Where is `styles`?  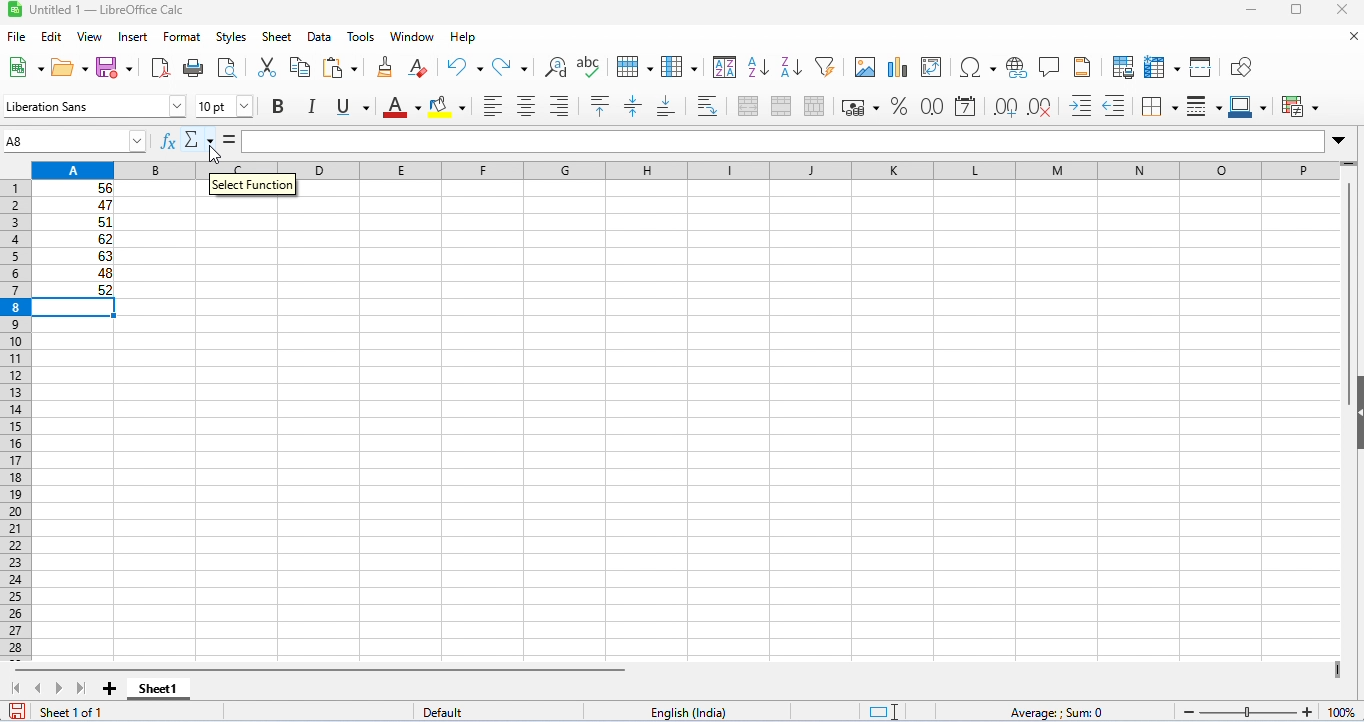 styles is located at coordinates (231, 37).